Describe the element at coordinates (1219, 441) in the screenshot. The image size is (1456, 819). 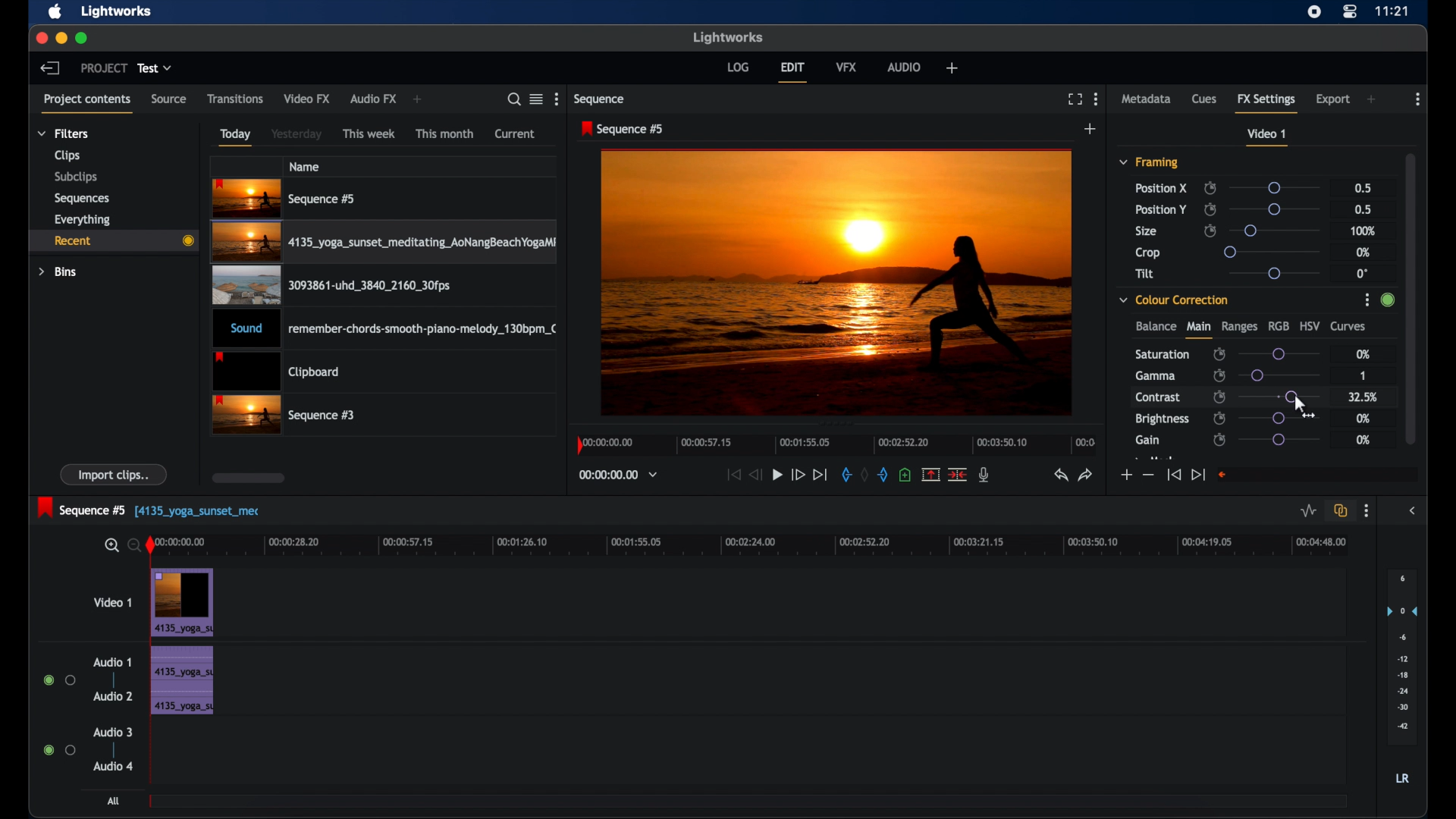
I see `enable/disable keyframes` at that location.